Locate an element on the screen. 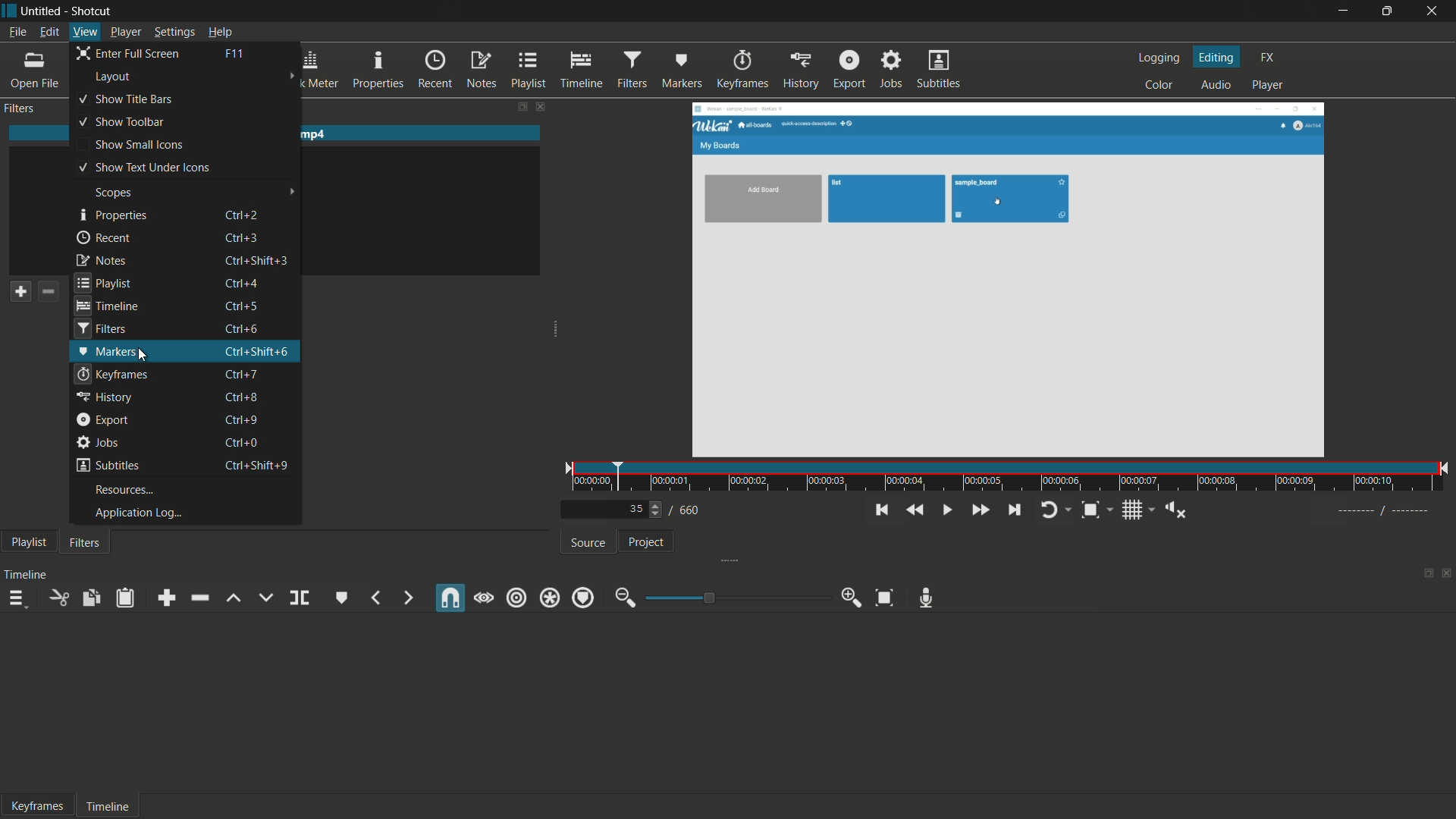 Image resolution: width=1456 pixels, height=819 pixels. zoom in is located at coordinates (849, 598).